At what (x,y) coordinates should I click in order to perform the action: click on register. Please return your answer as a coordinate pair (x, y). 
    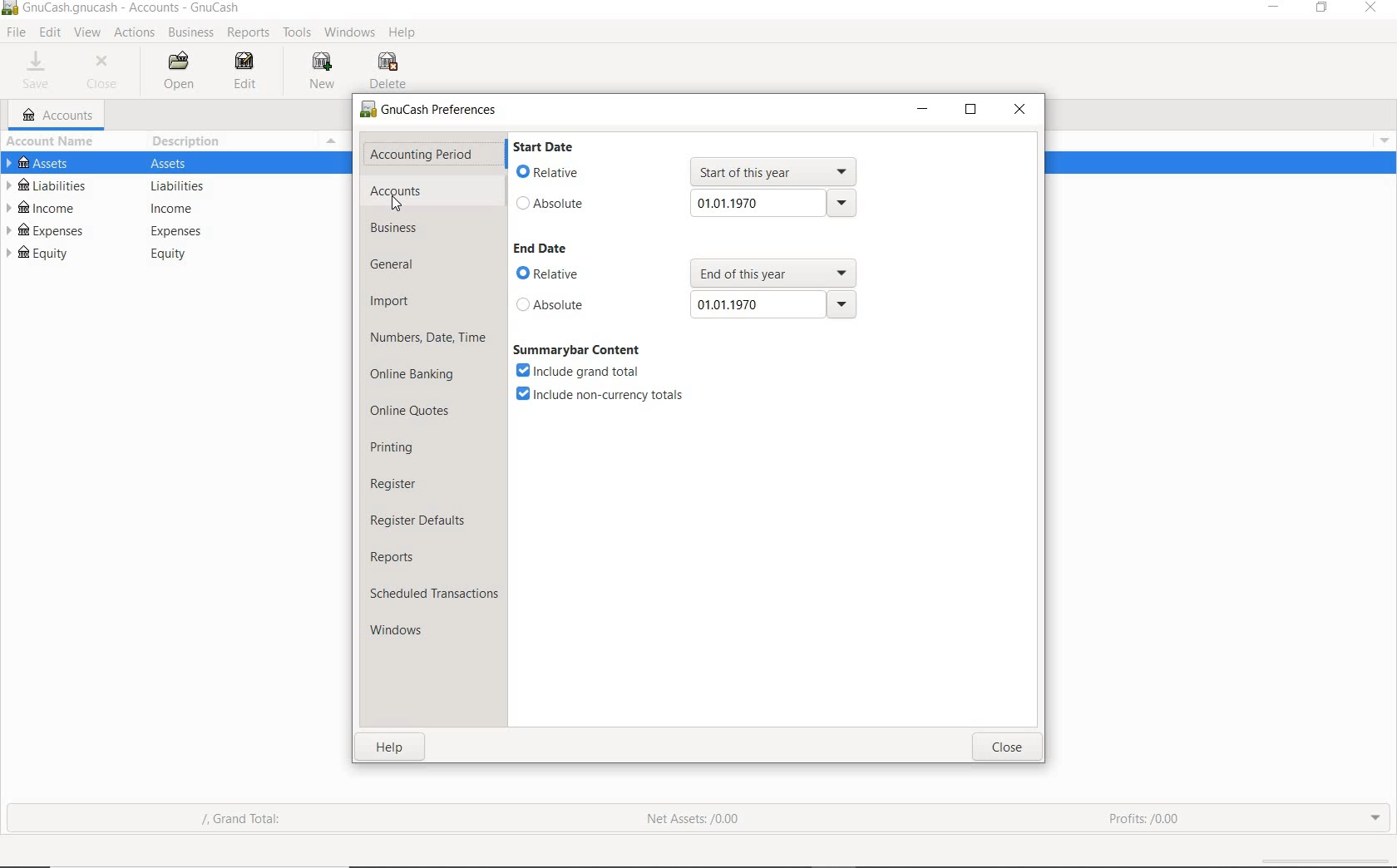
    Looking at the image, I should click on (395, 483).